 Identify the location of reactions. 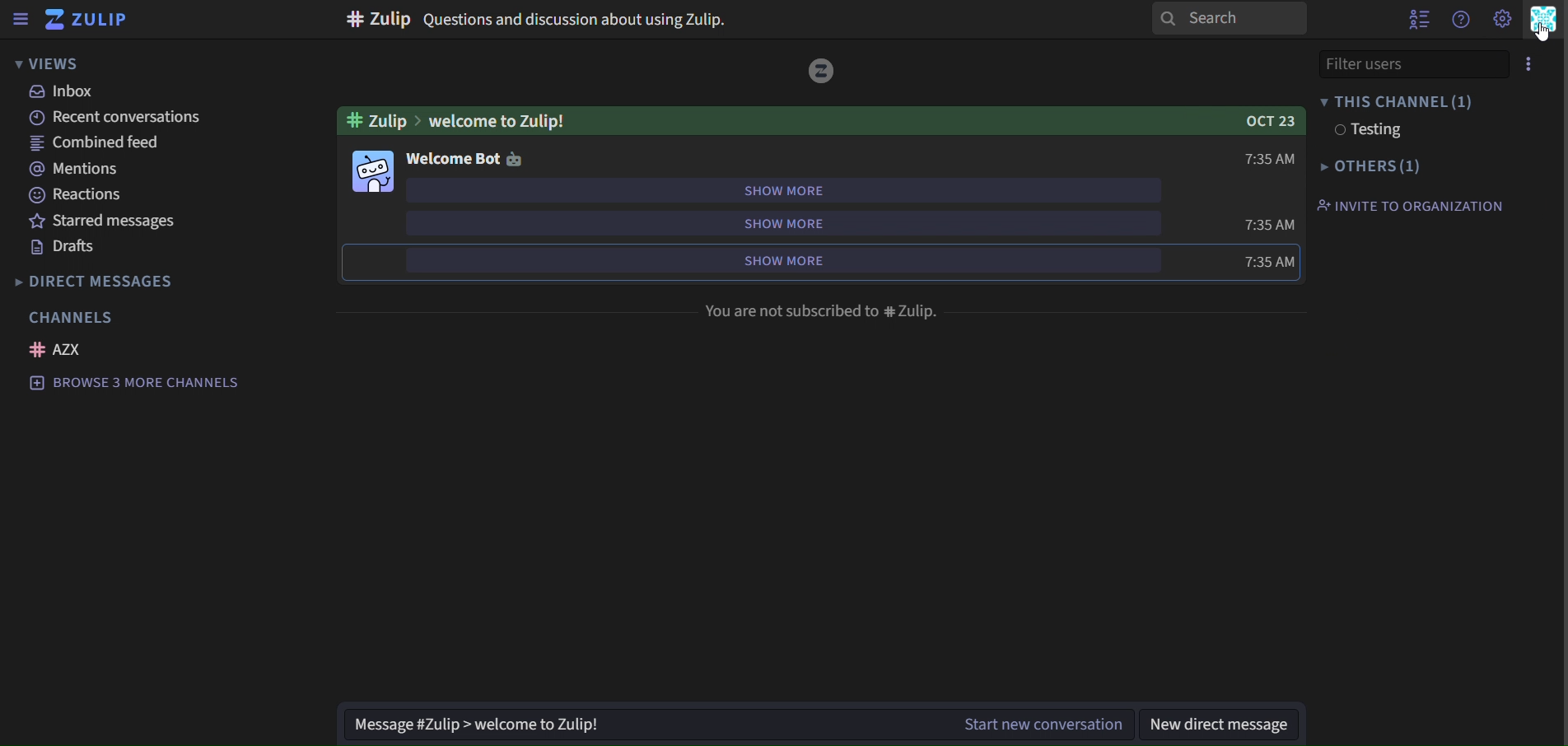
(82, 196).